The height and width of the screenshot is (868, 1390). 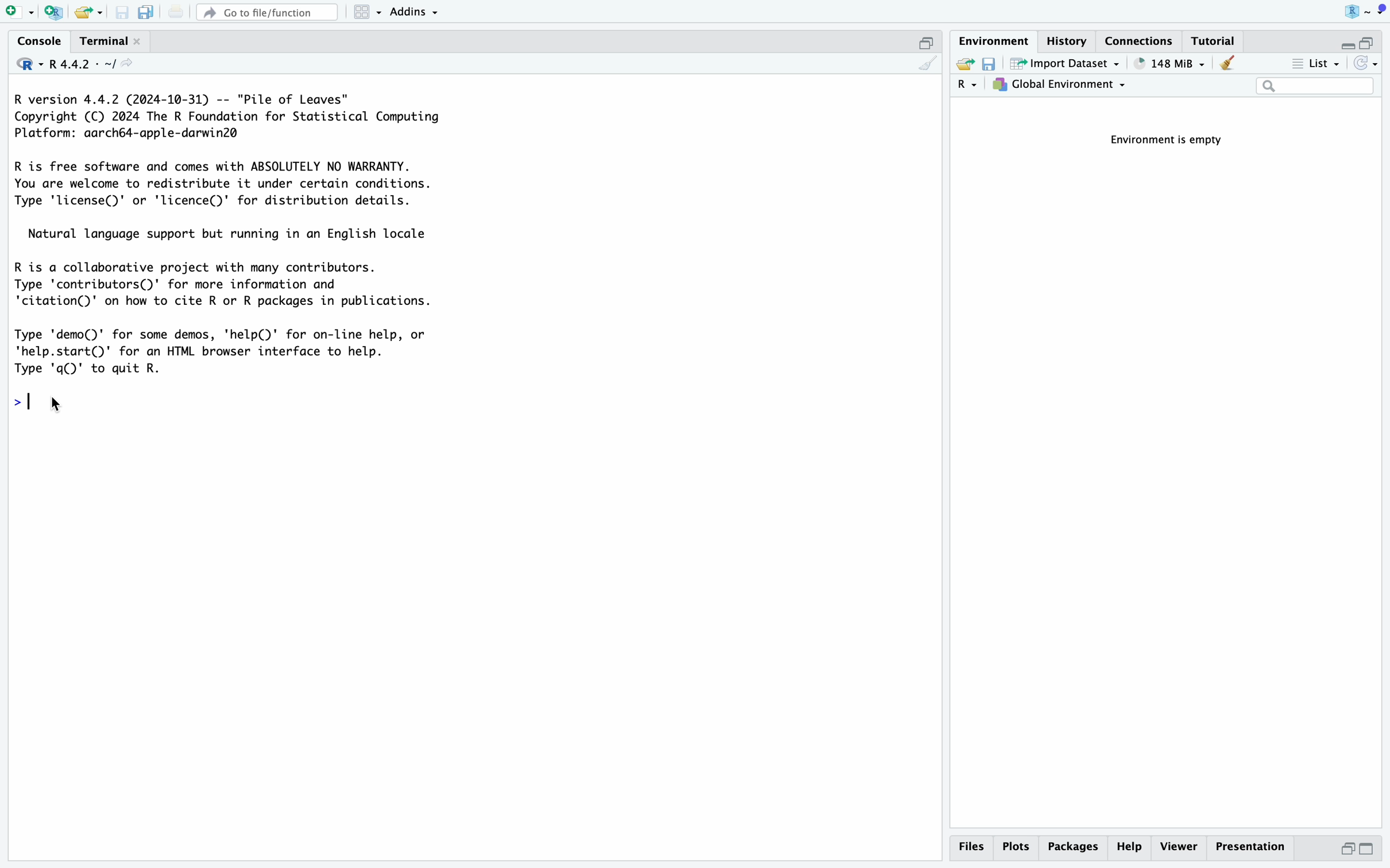 I want to click on terminal, so click(x=100, y=38).